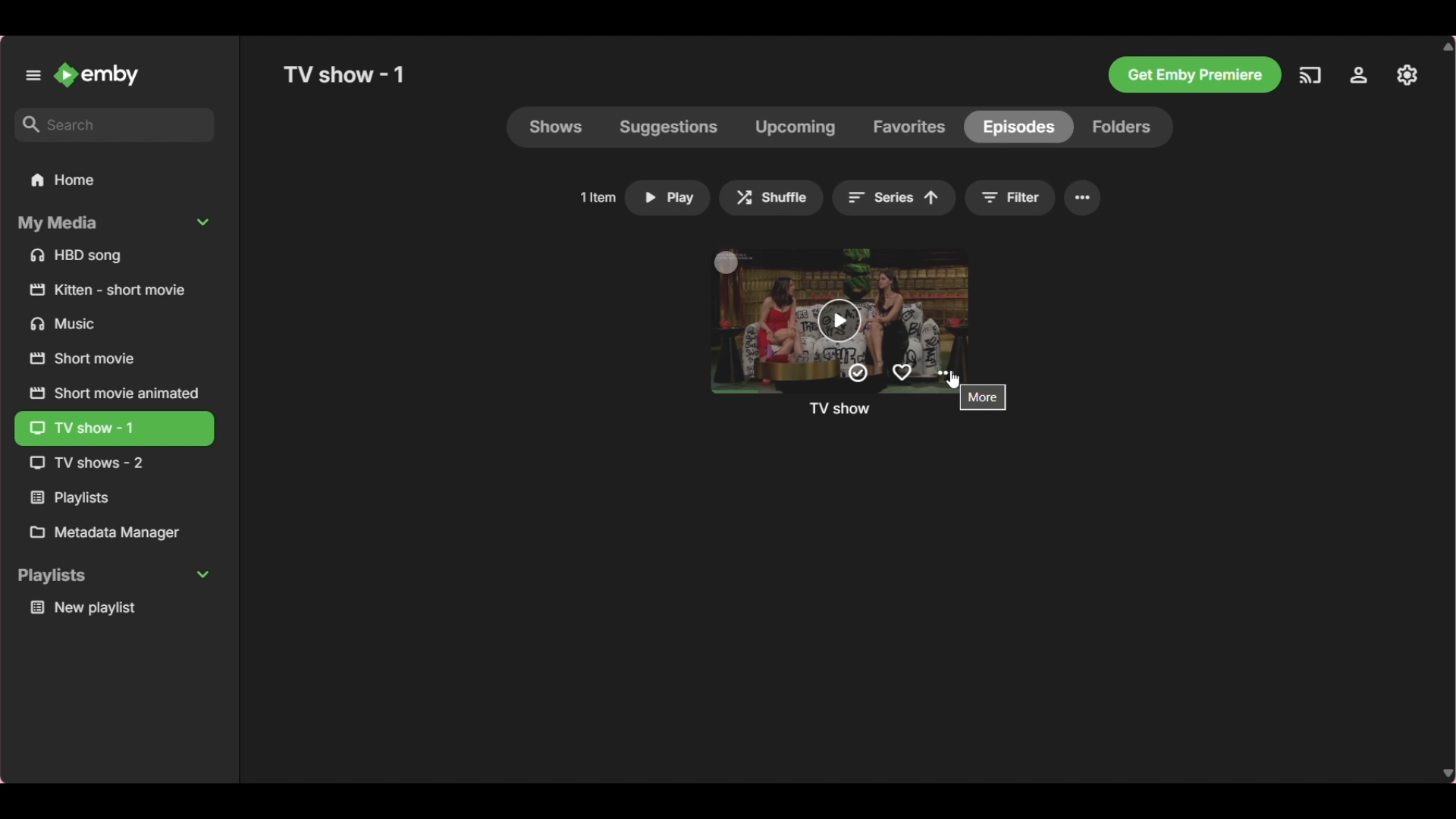 The image size is (1456, 819). I want to click on Playlists, so click(114, 498).